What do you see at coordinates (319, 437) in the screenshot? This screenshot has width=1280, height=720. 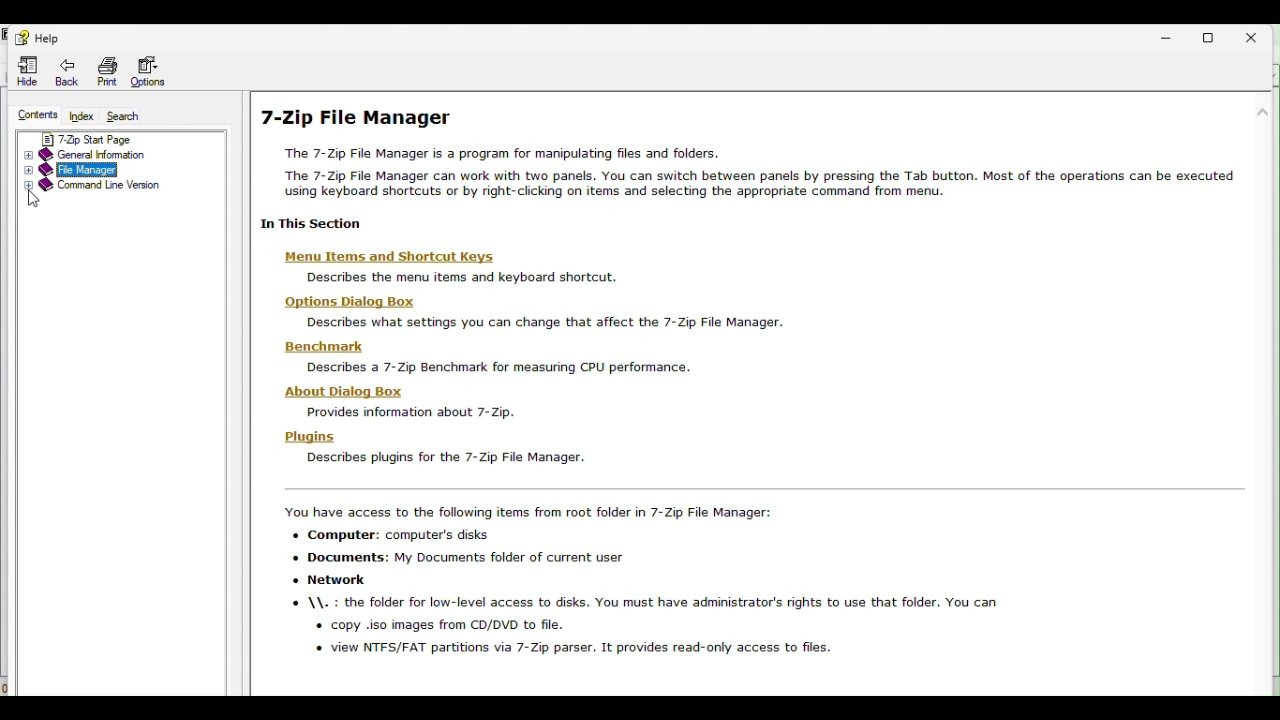 I see `Plugins` at bounding box center [319, 437].